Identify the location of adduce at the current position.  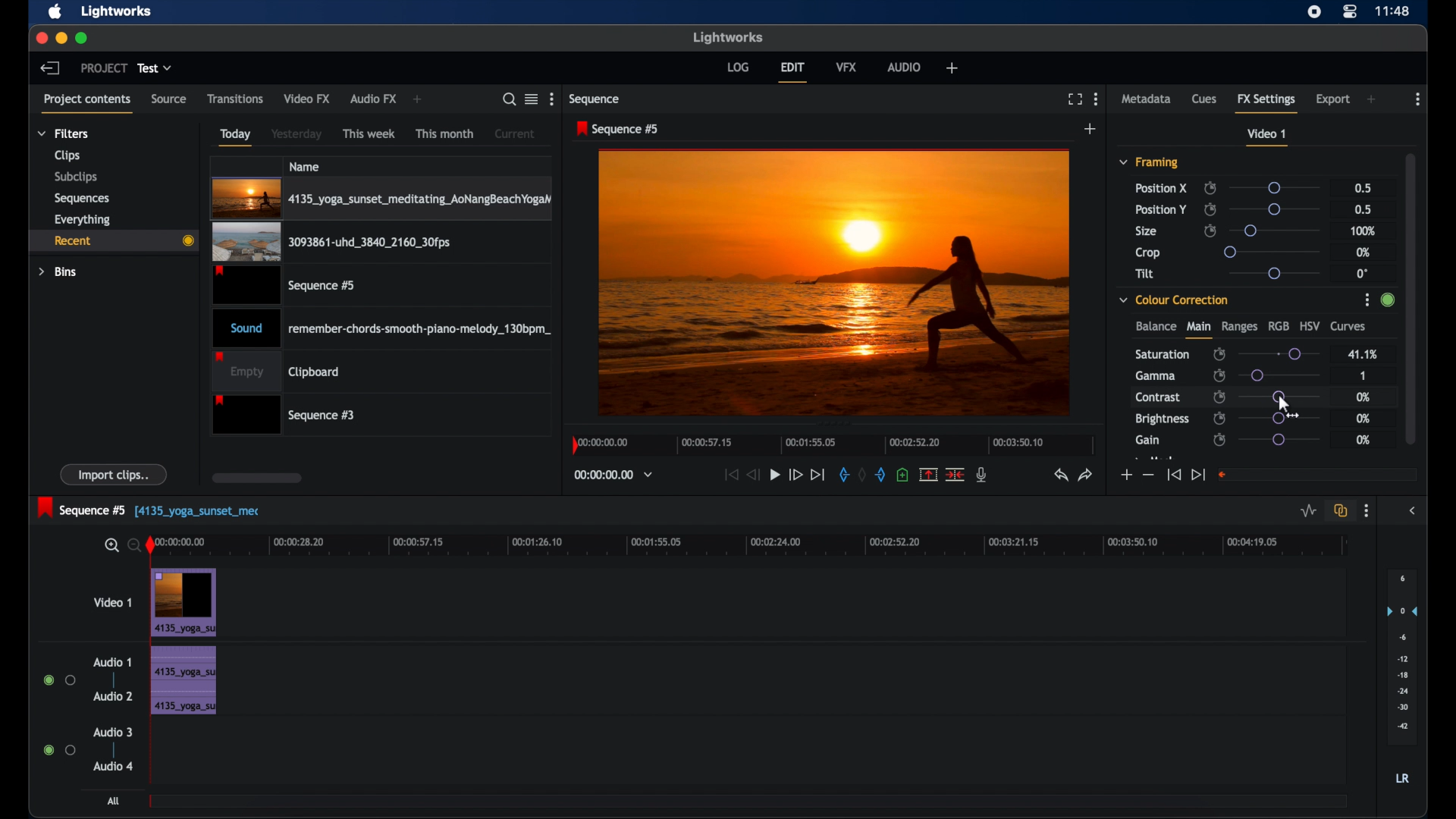
(902, 474).